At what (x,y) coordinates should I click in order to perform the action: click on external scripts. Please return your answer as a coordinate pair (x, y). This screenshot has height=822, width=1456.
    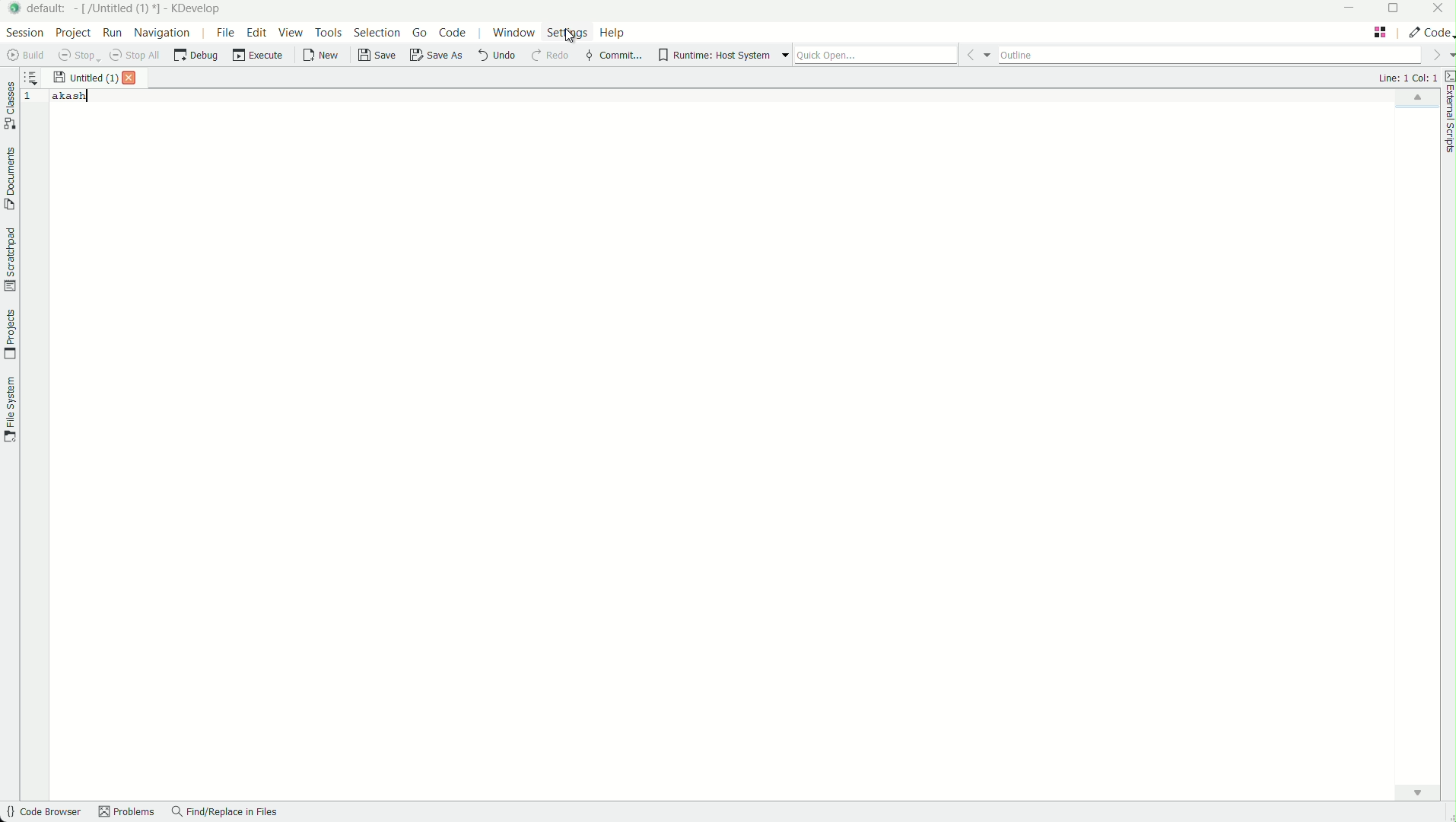
    Looking at the image, I should click on (1447, 114).